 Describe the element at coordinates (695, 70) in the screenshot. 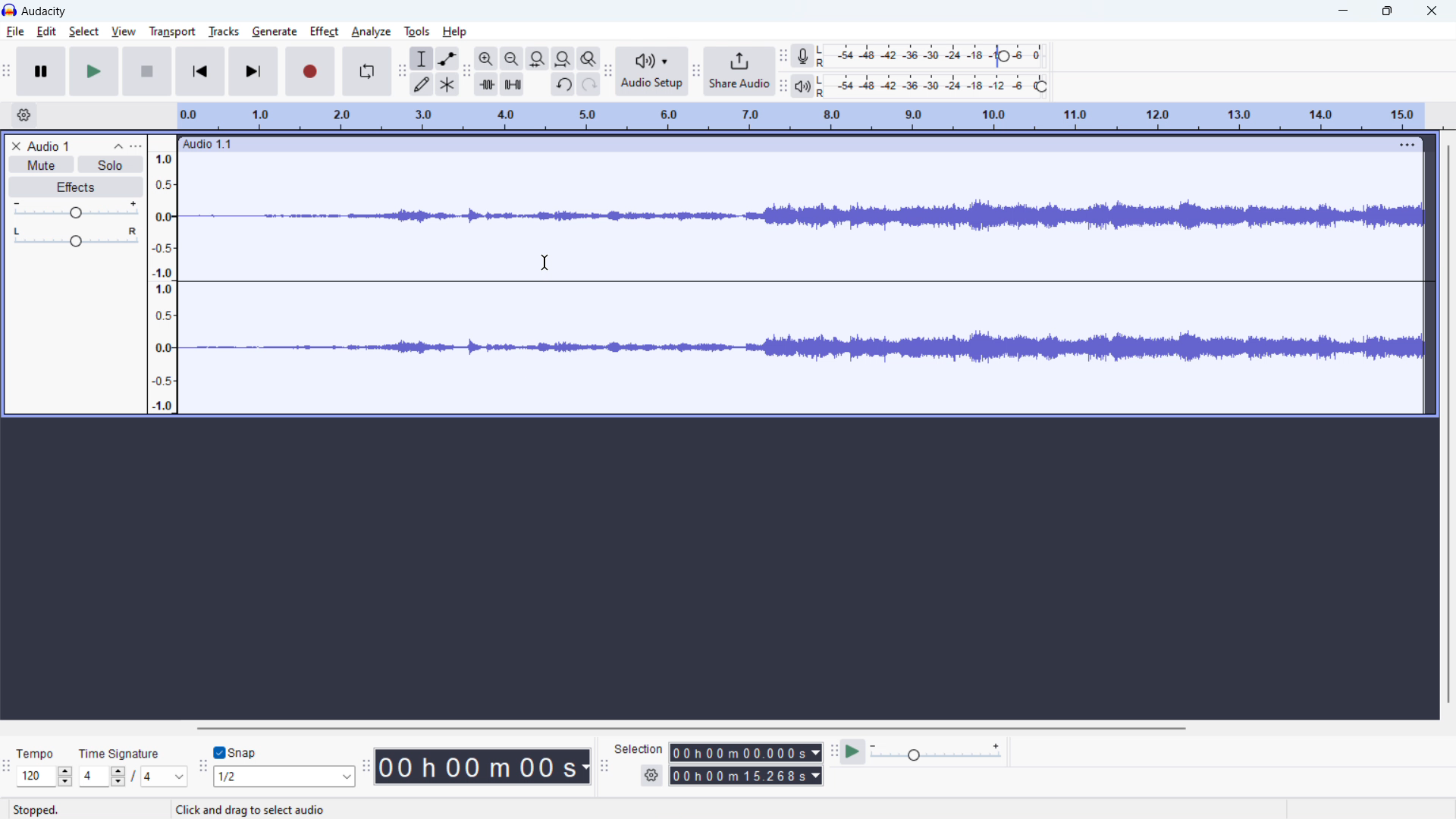

I see `share audio toolbar` at that location.